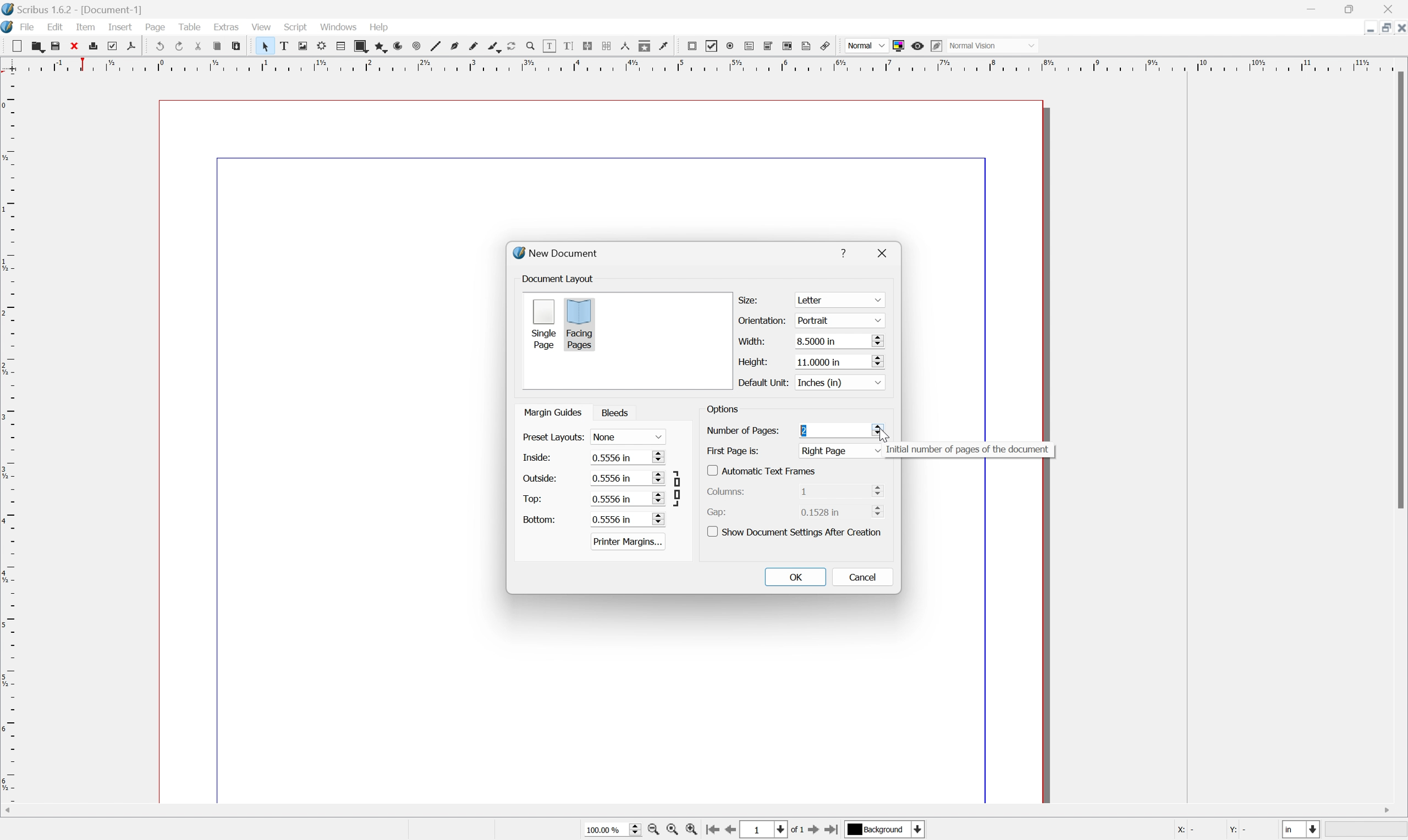  I want to click on 0.5556 in, so click(627, 519).